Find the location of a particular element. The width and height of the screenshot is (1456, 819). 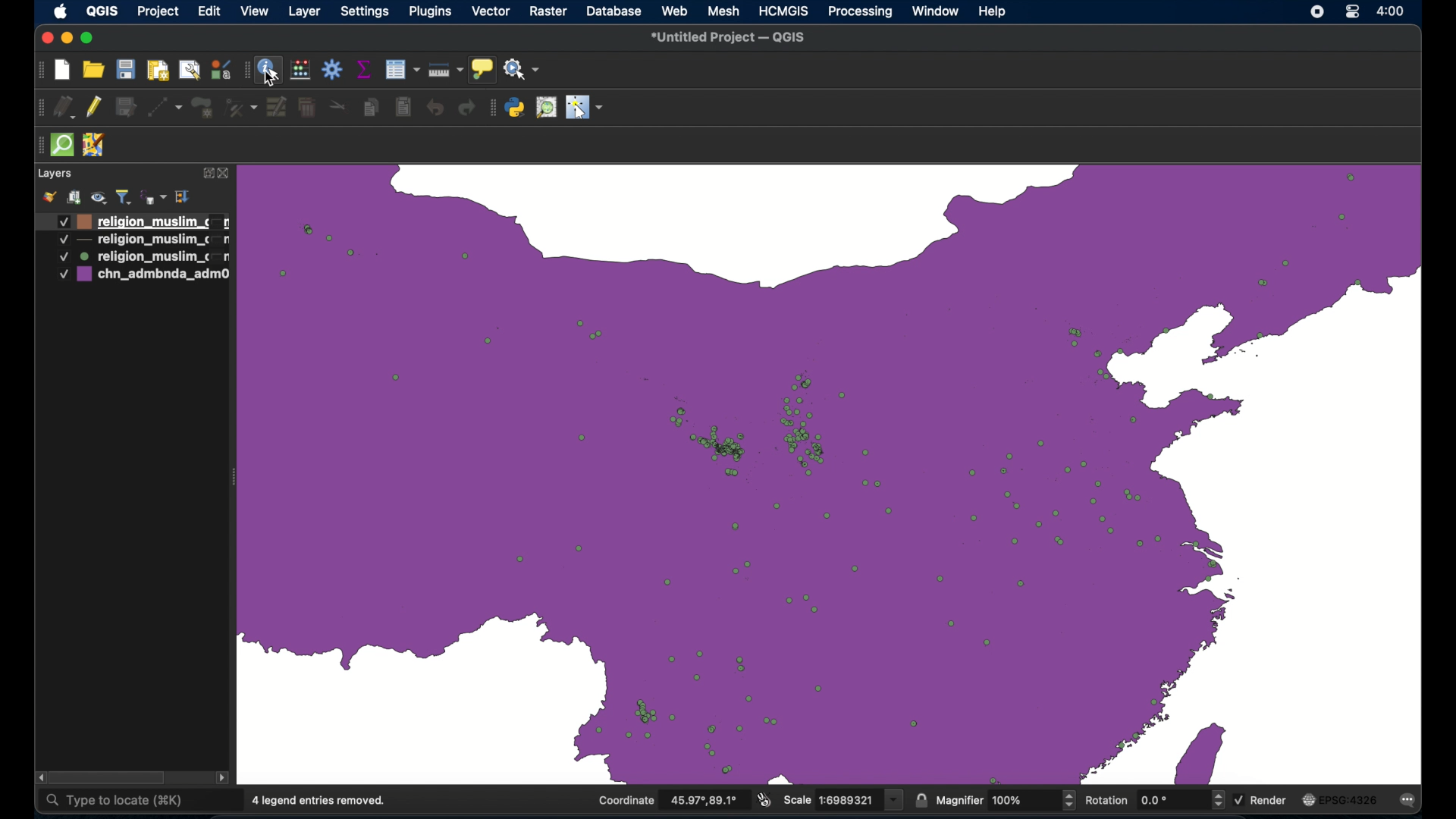

layer 2 is located at coordinates (141, 257).